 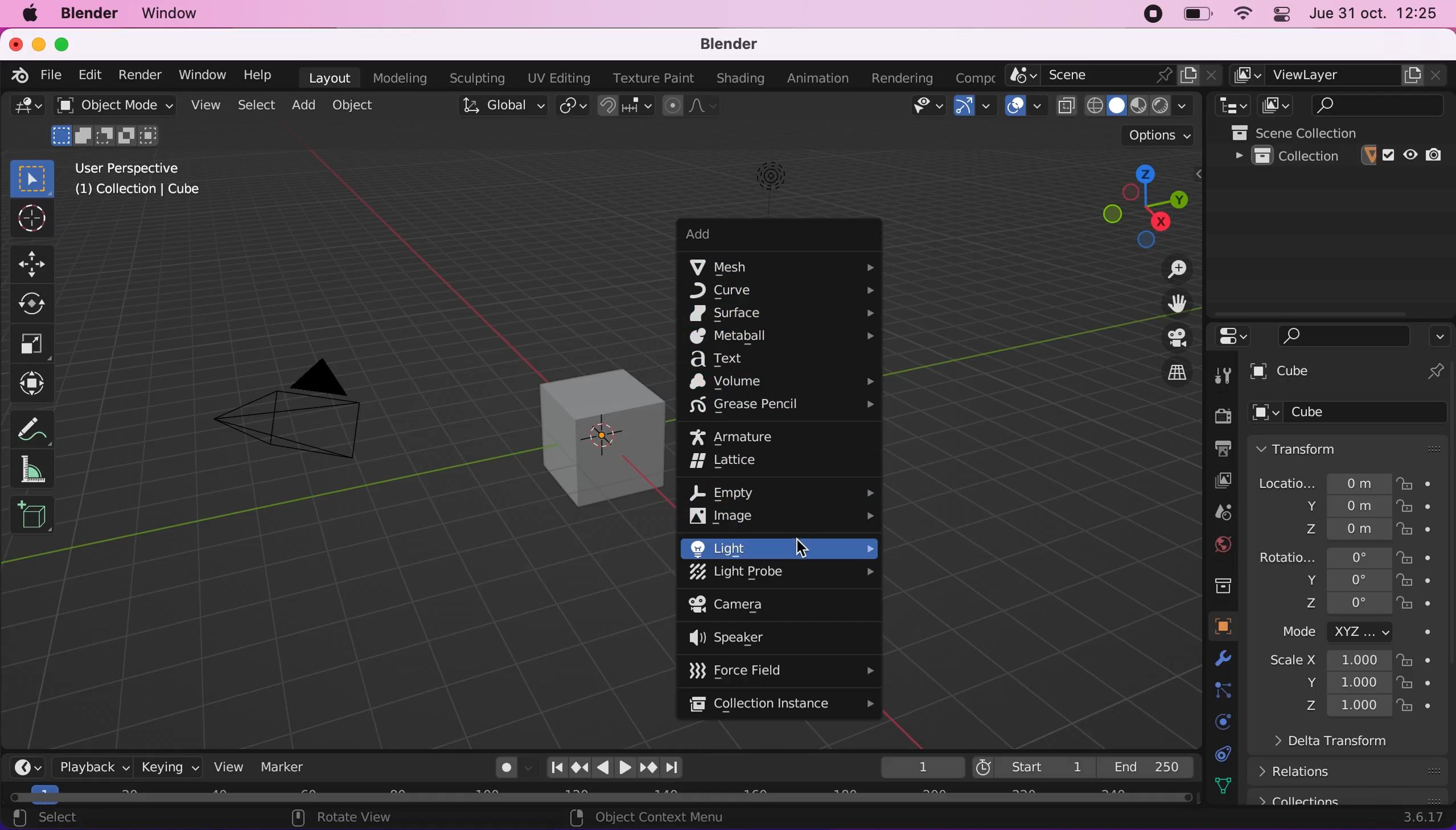 I want to click on maximize, so click(x=63, y=45).